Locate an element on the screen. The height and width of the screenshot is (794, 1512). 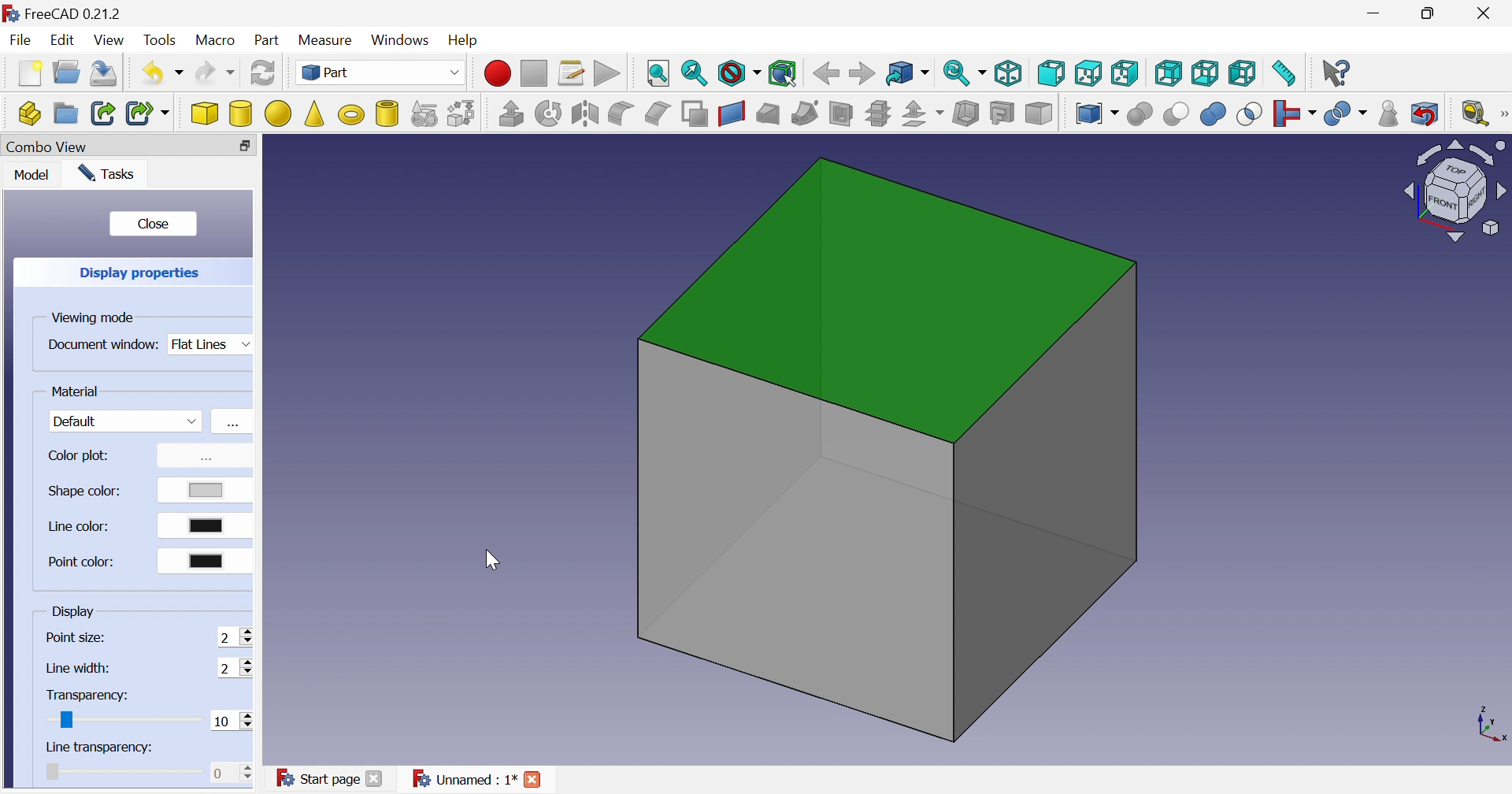
Color properties is located at coordinates (201, 459).